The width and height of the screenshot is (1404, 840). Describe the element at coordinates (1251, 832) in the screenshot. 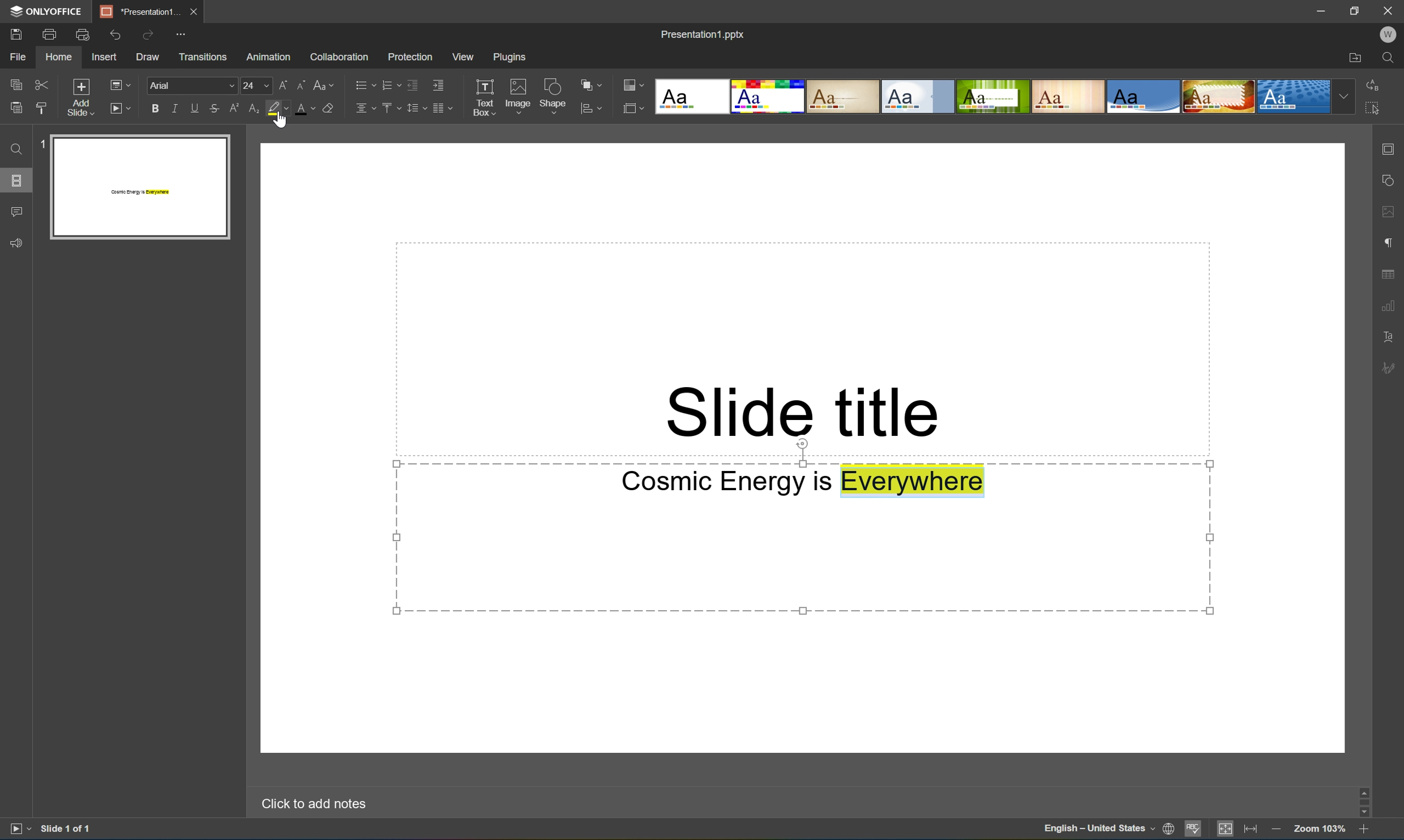

I see `Fit to width` at that location.